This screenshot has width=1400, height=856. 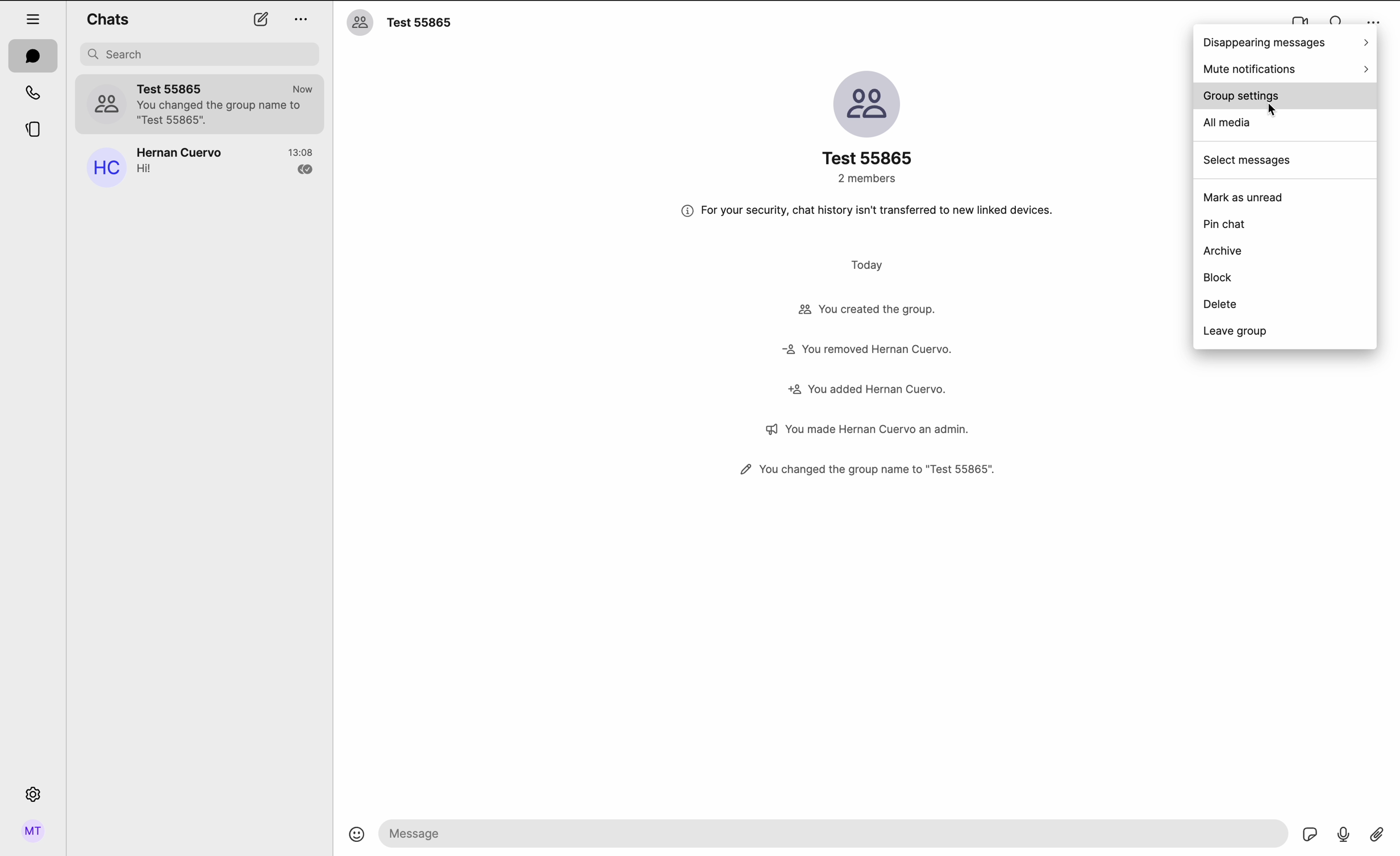 What do you see at coordinates (107, 102) in the screenshot?
I see `profile picture` at bounding box center [107, 102].